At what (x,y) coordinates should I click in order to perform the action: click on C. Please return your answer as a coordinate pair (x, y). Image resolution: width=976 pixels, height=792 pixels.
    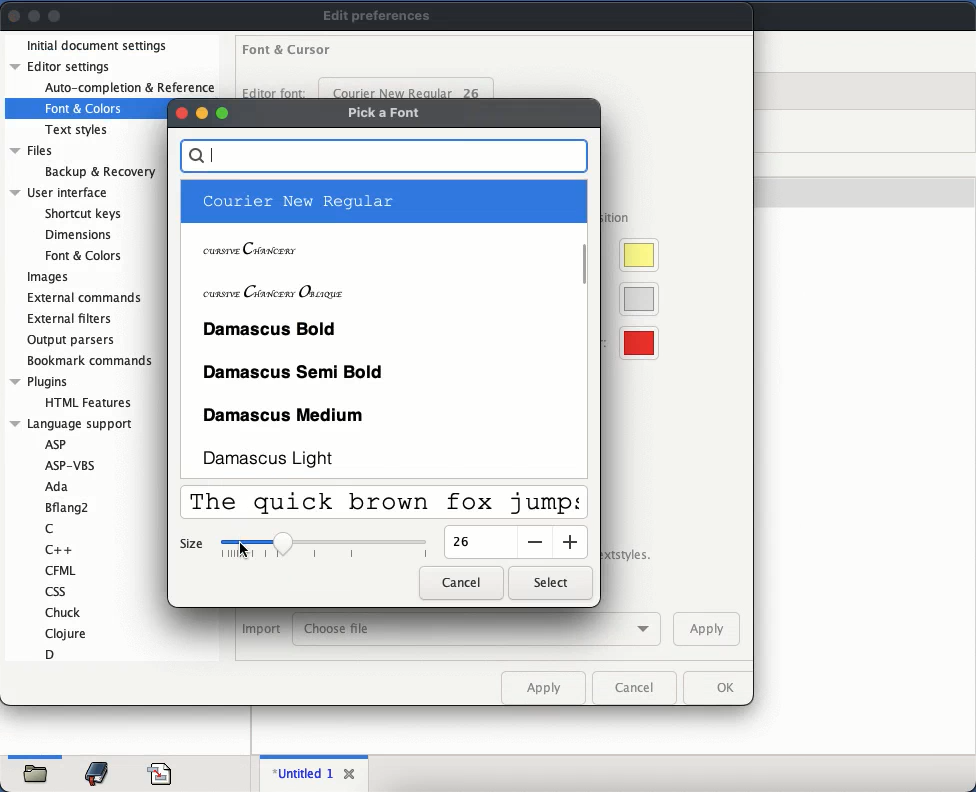
    Looking at the image, I should click on (51, 528).